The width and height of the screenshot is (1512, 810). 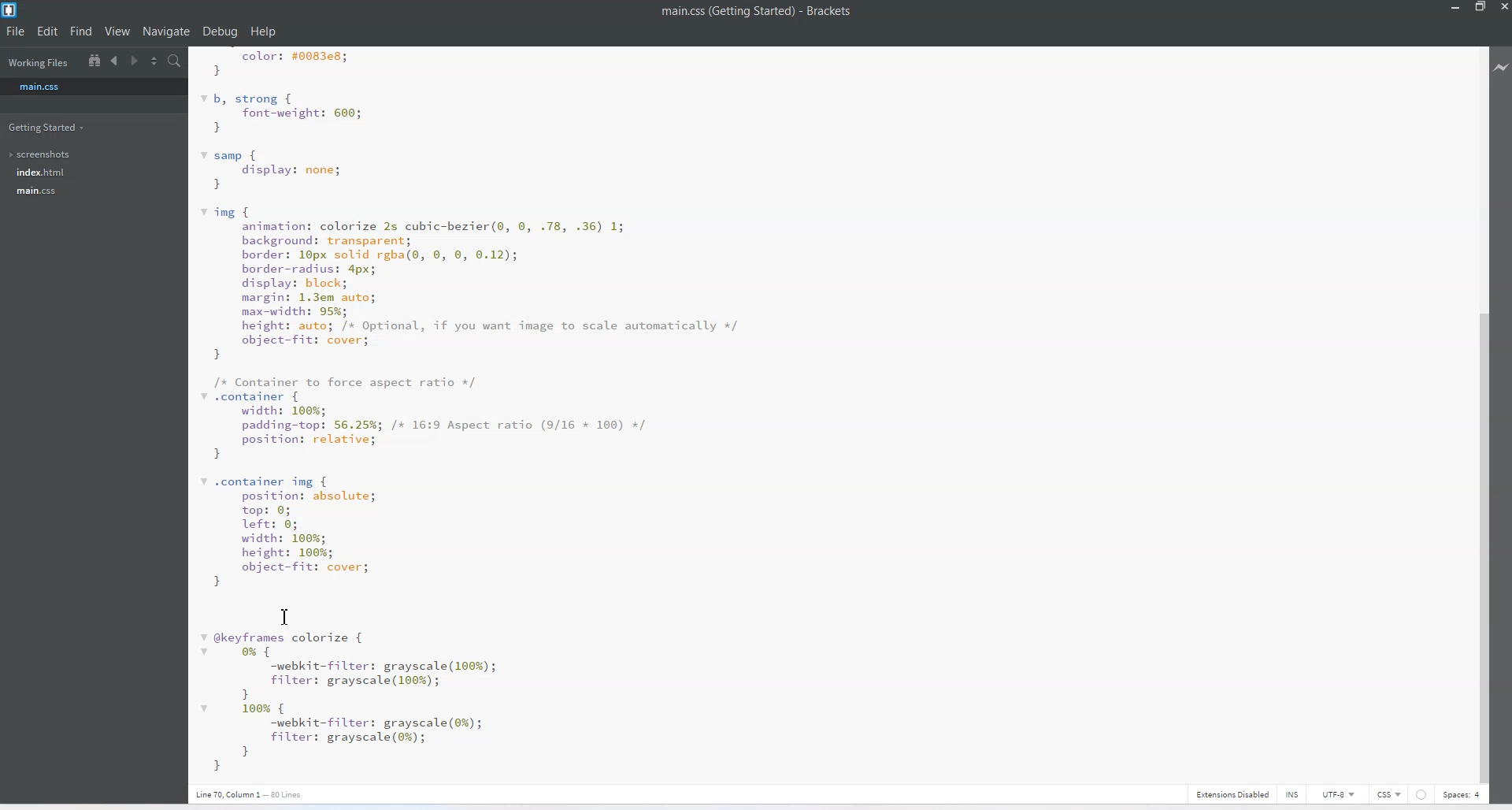 What do you see at coordinates (1339, 794) in the screenshot?
I see `UTF-8` at bounding box center [1339, 794].